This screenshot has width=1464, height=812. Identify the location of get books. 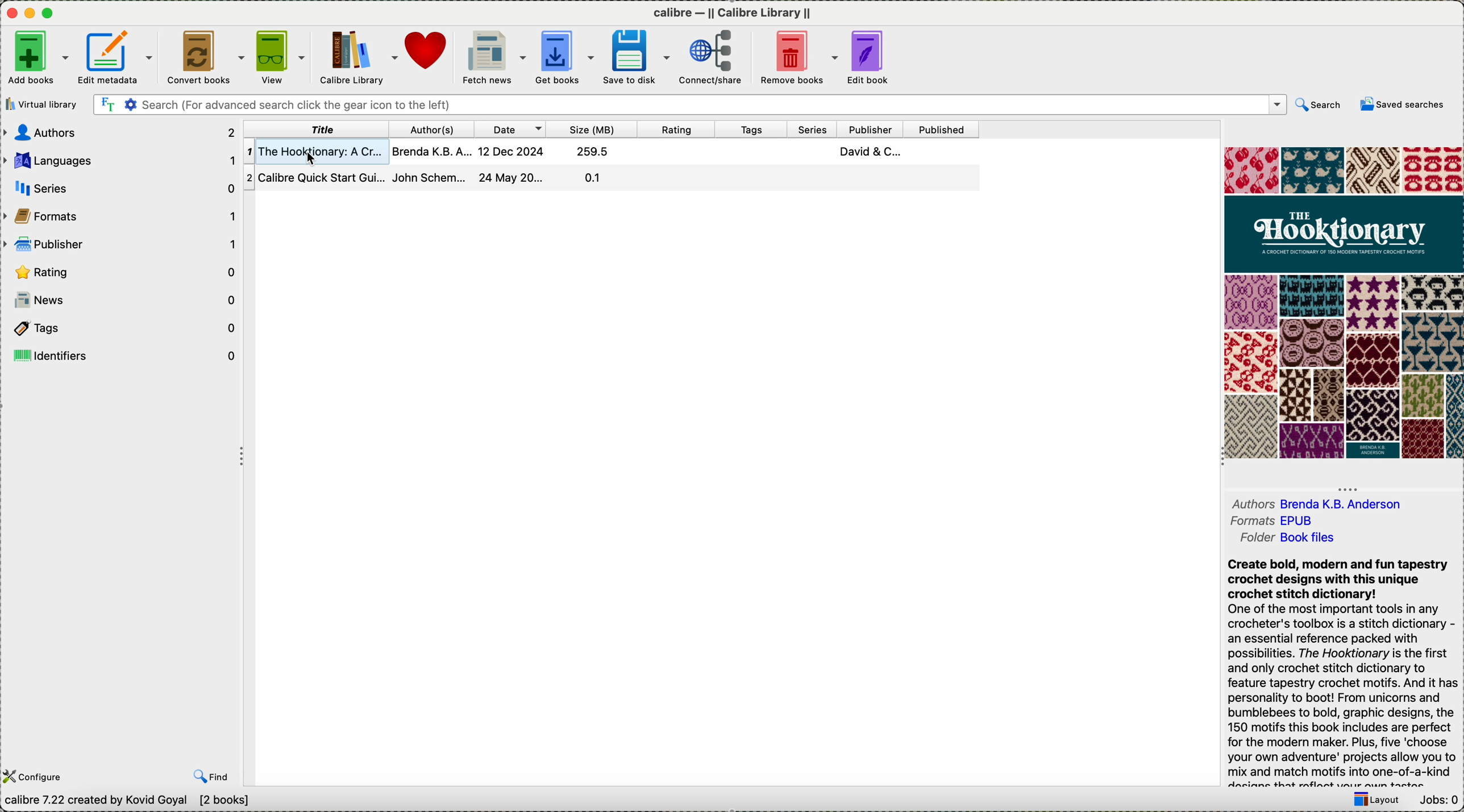
(564, 55).